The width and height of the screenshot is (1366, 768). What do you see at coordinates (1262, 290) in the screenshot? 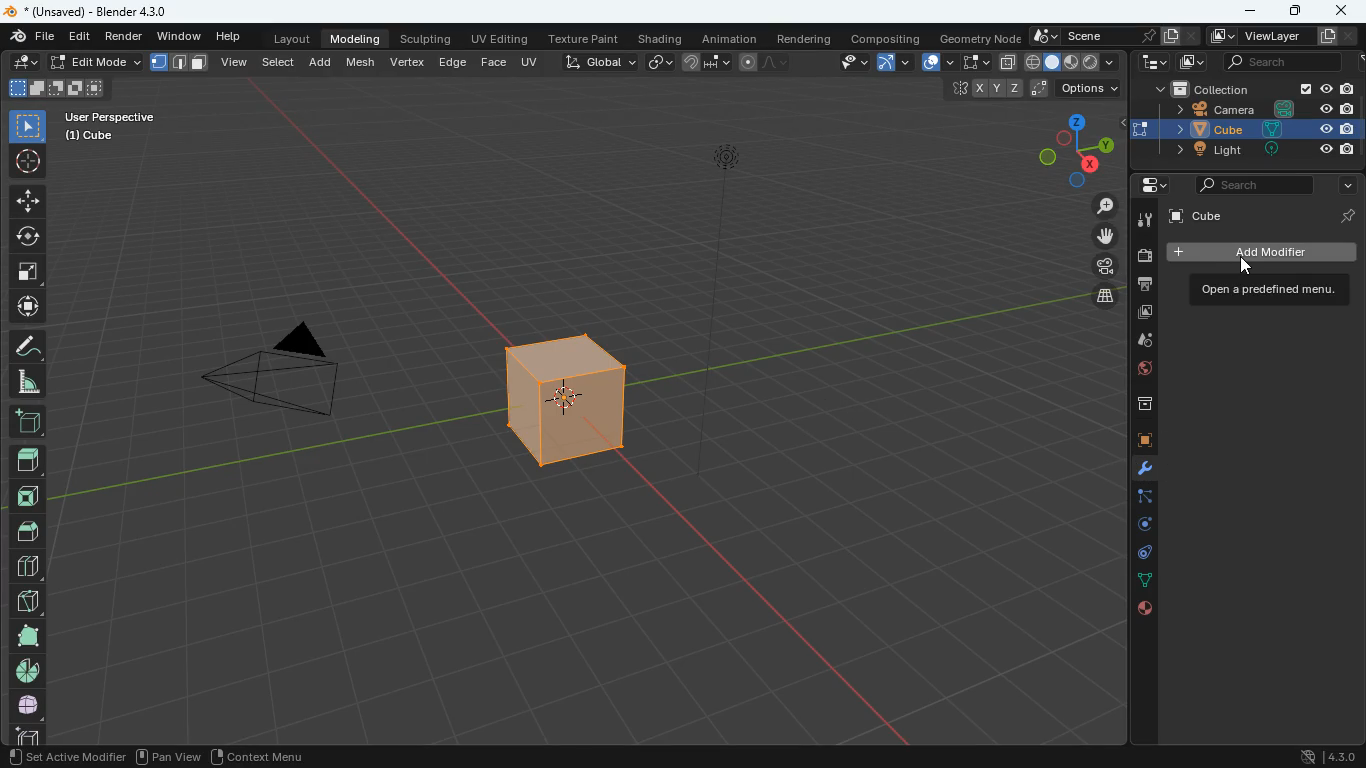
I see `description` at bounding box center [1262, 290].